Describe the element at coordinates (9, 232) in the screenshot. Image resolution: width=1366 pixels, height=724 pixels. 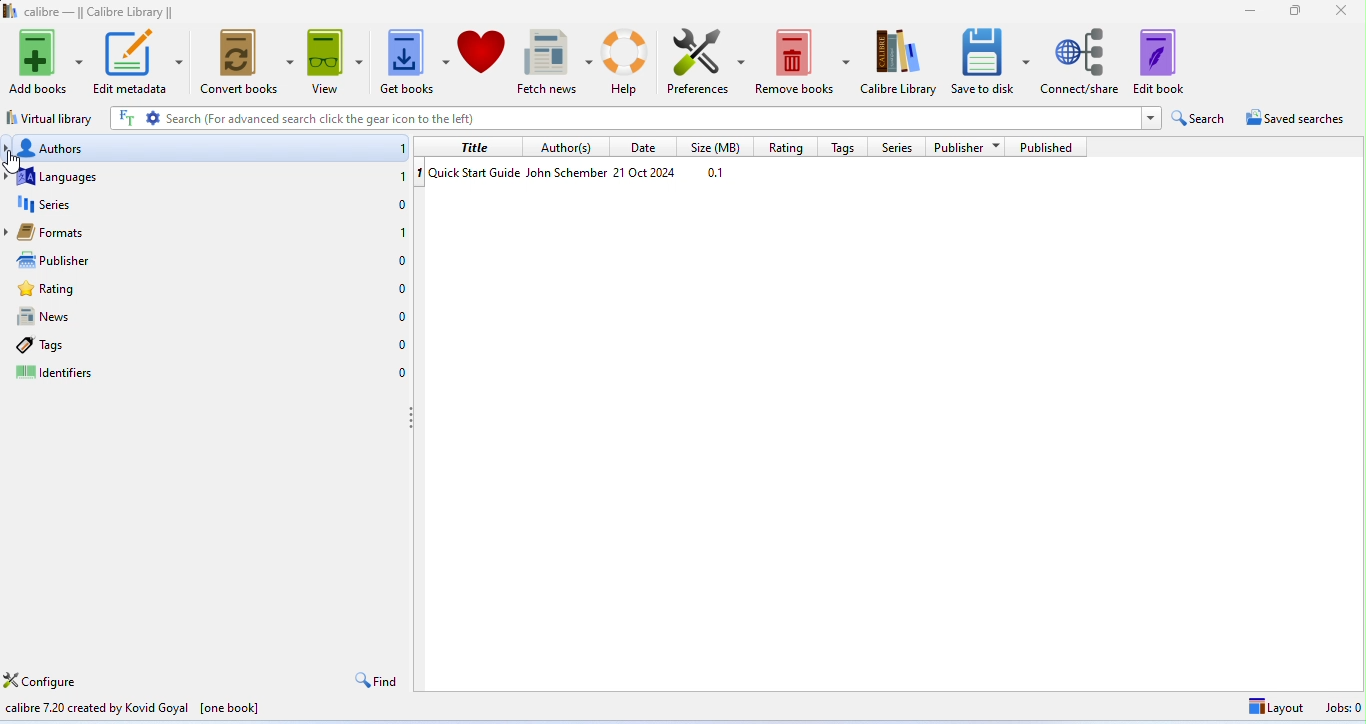
I see `expand formats` at that location.